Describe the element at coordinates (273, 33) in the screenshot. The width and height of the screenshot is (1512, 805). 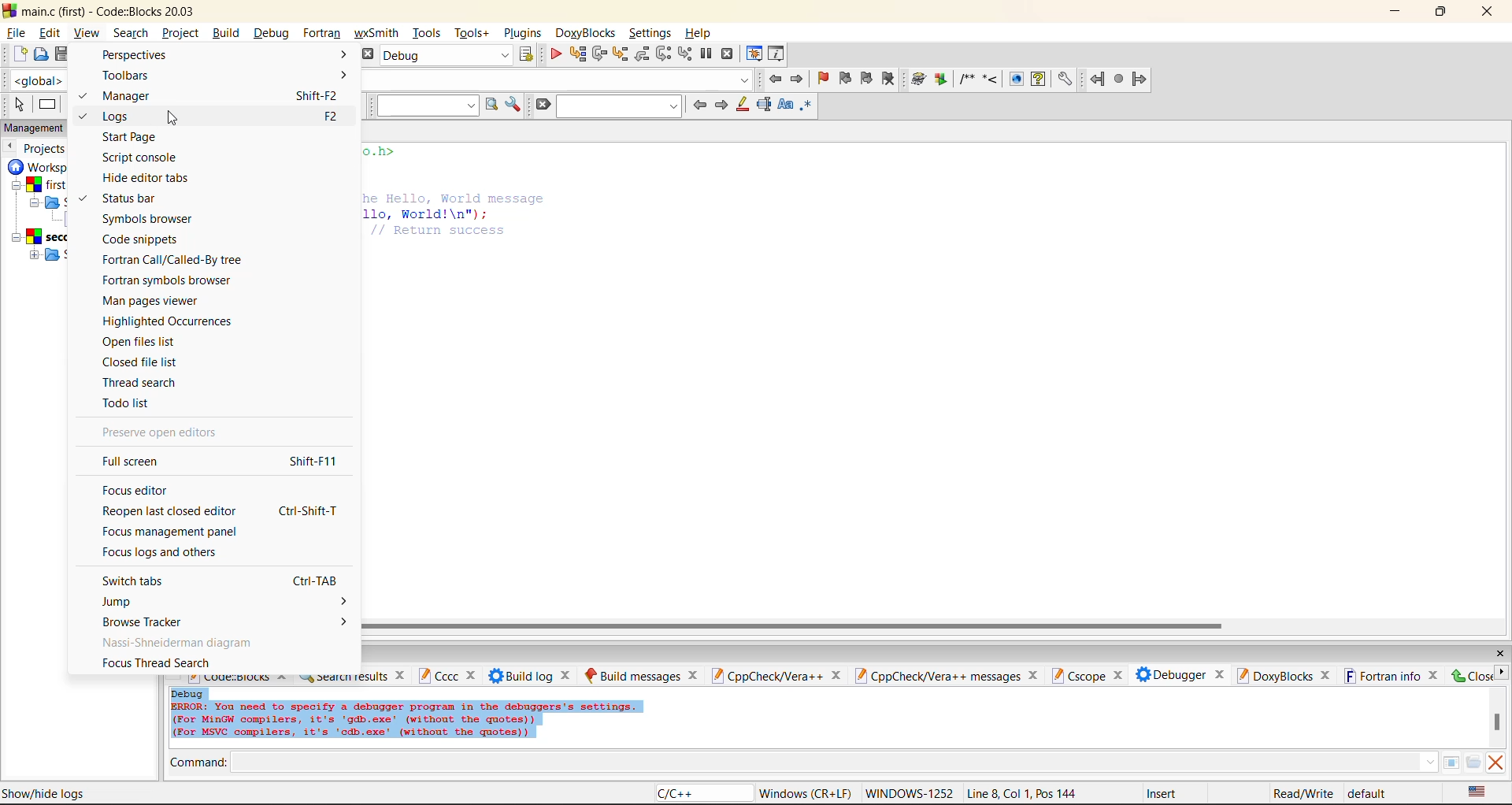
I see `debug` at that location.